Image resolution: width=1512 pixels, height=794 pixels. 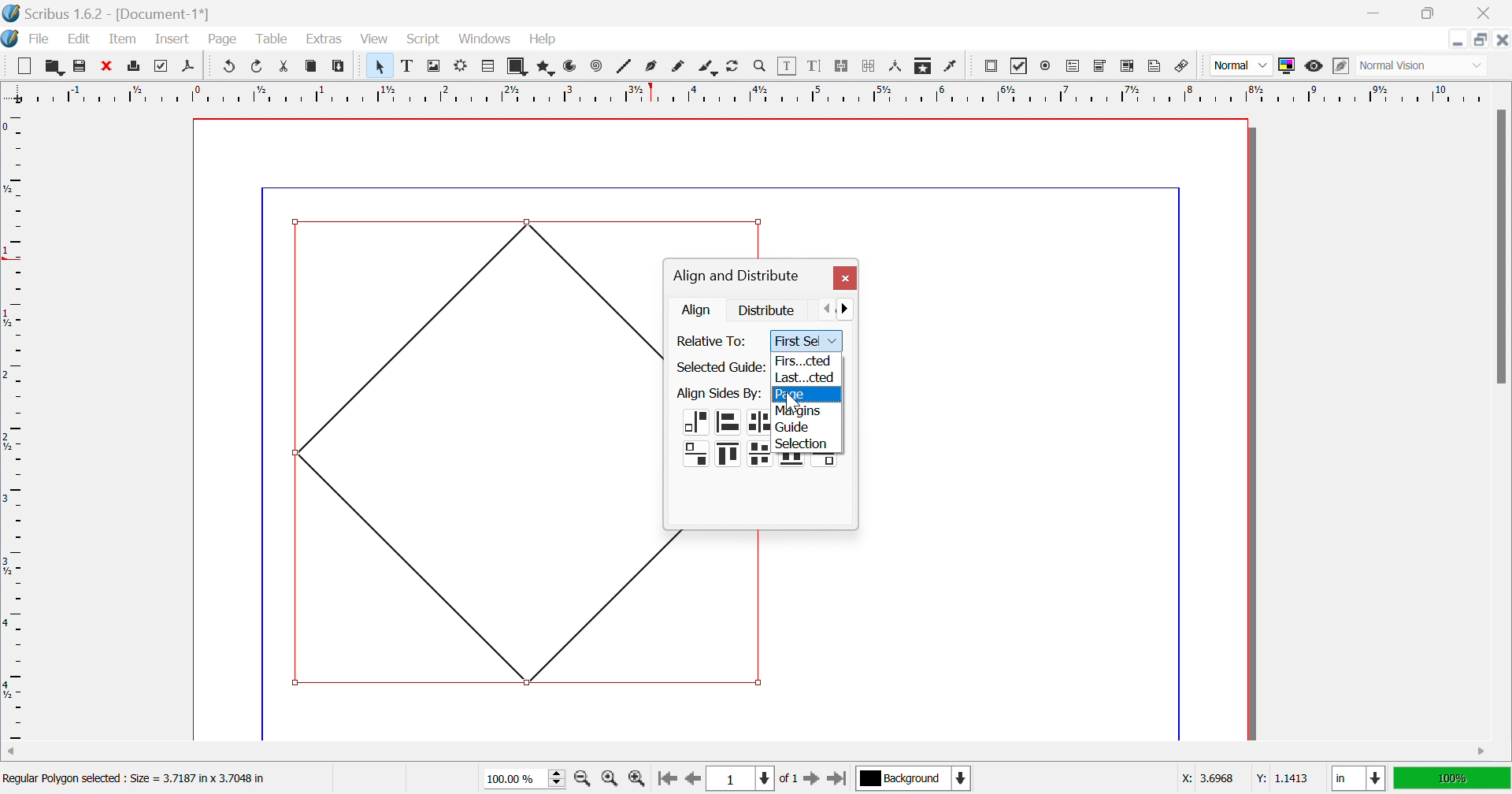 What do you see at coordinates (230, 66) in the screenshot?
I see `Undo` at bounding box center [230, 66].